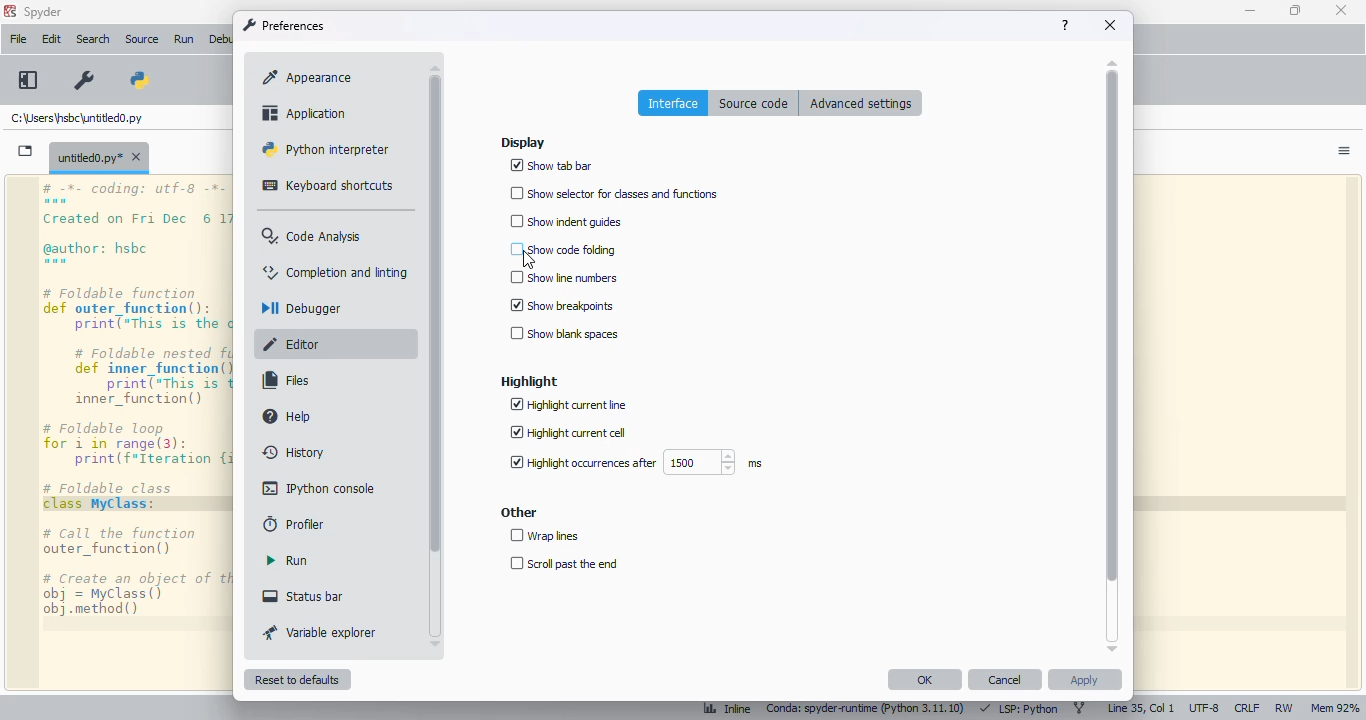 This screenshot has width=1366, height=720. Describe the element at coordinates (26, 151) in the screenshot. I see `browse tabs` at that location.